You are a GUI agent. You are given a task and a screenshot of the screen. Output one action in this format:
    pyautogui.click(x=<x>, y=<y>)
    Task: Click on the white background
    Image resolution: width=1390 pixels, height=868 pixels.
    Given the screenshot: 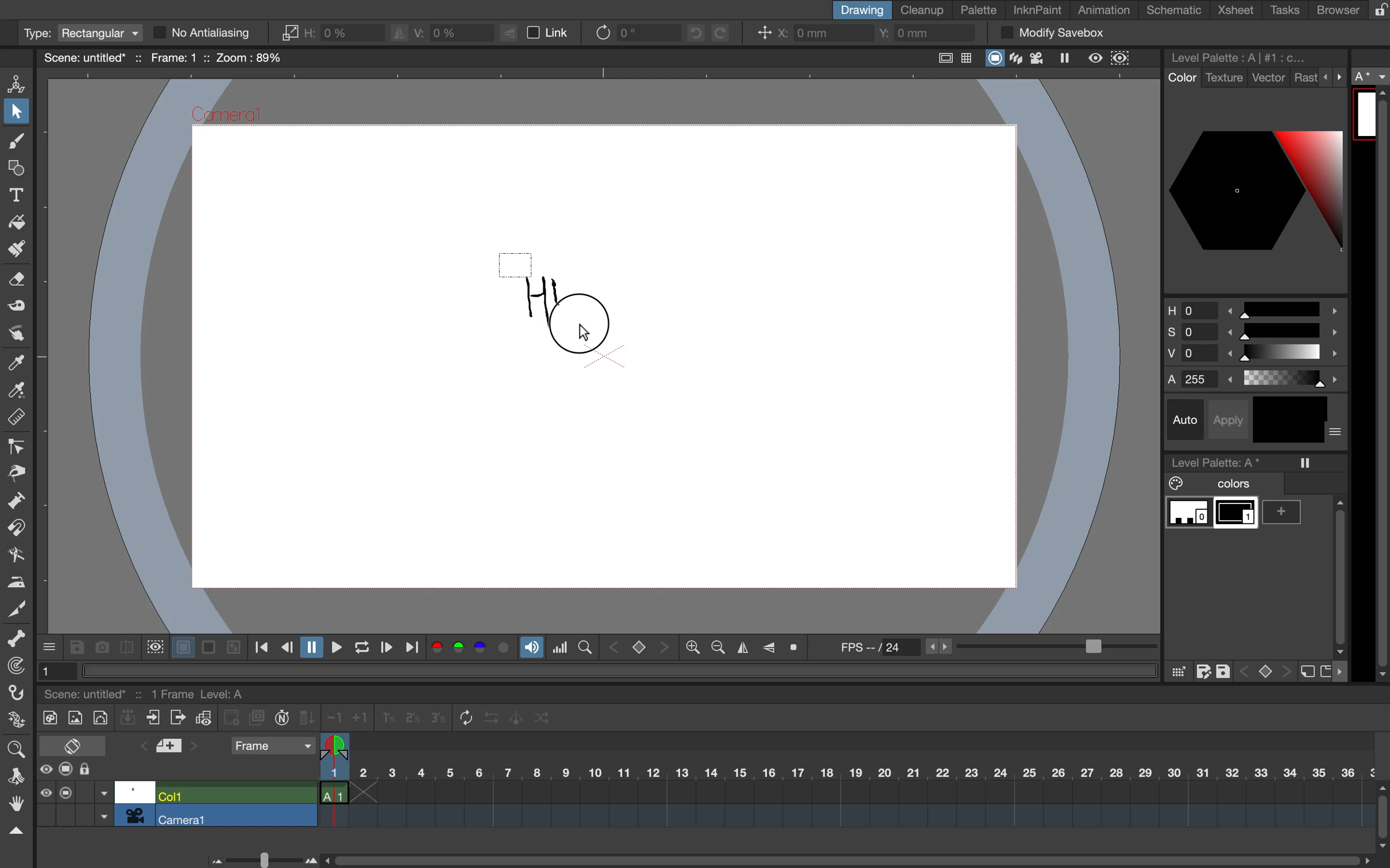 What is the action you would take?
    pyautogui.click(x=181, y=645)
    